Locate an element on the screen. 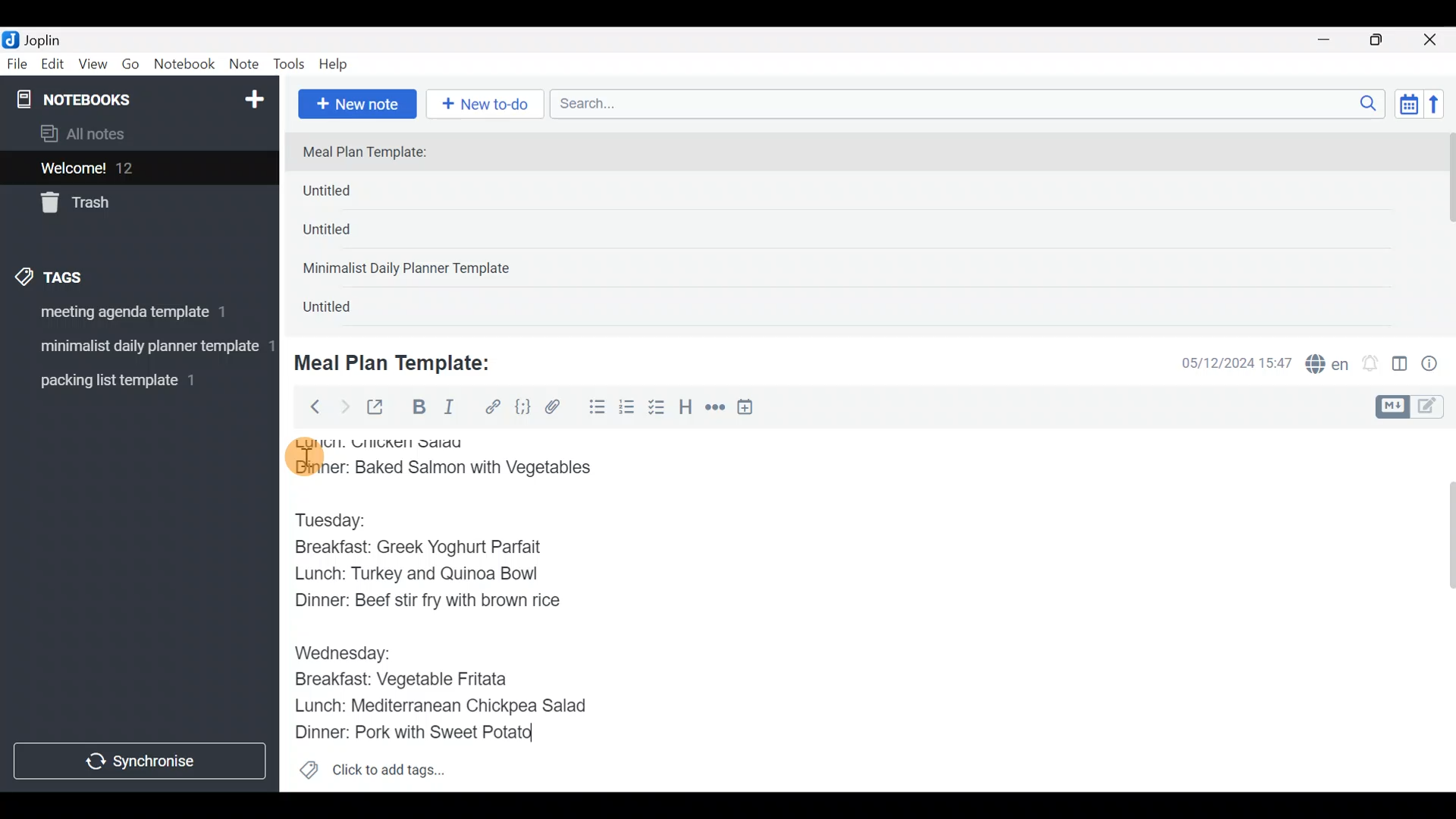 The width and height of the screenshot is (1456, 819). Breakfast: Vegetable Fritata is located at coordinates (413, 679).